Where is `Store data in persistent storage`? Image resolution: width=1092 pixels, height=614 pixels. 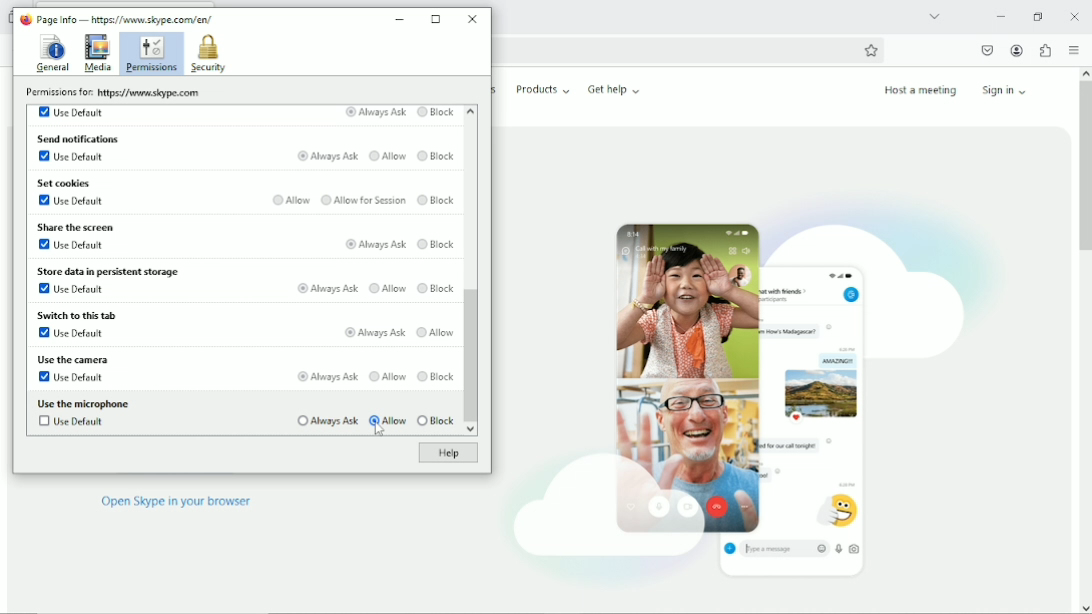 Store data in persistent storage is located at coordinates (112, 270).